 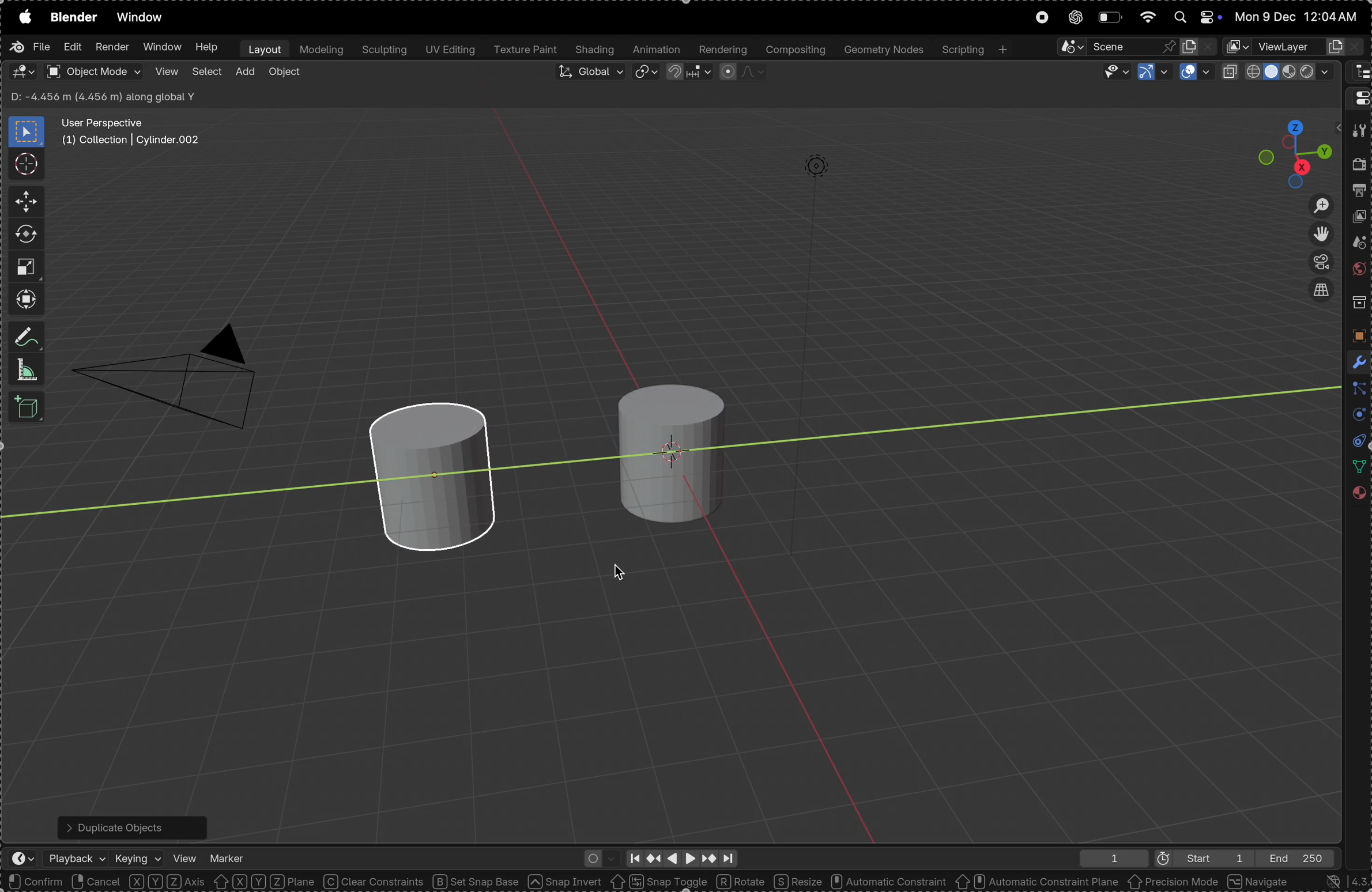 I want to click on snap, so click(x=687, y=74).